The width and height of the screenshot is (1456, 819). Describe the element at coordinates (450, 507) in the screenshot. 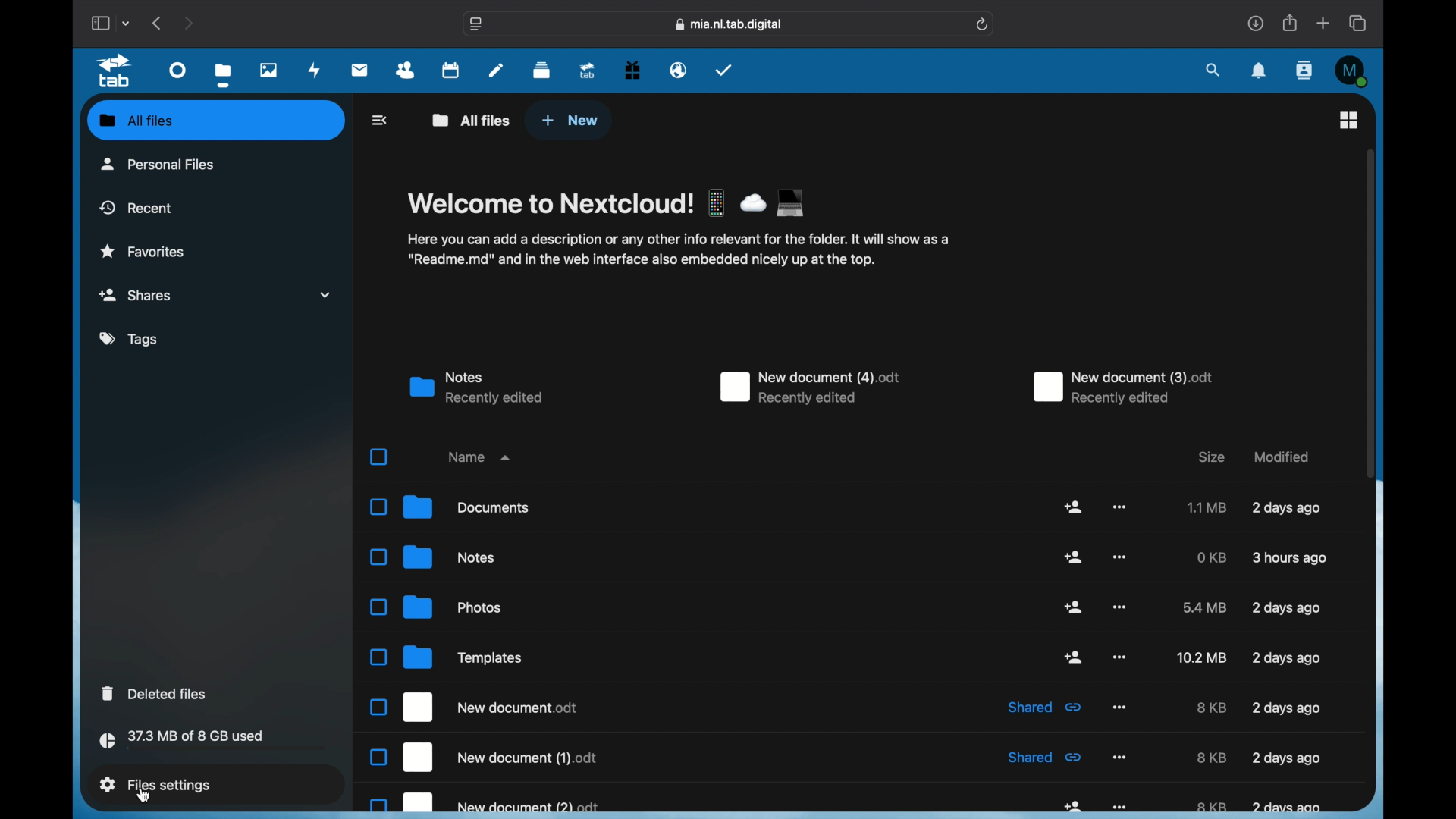

I see `documents` at that location.